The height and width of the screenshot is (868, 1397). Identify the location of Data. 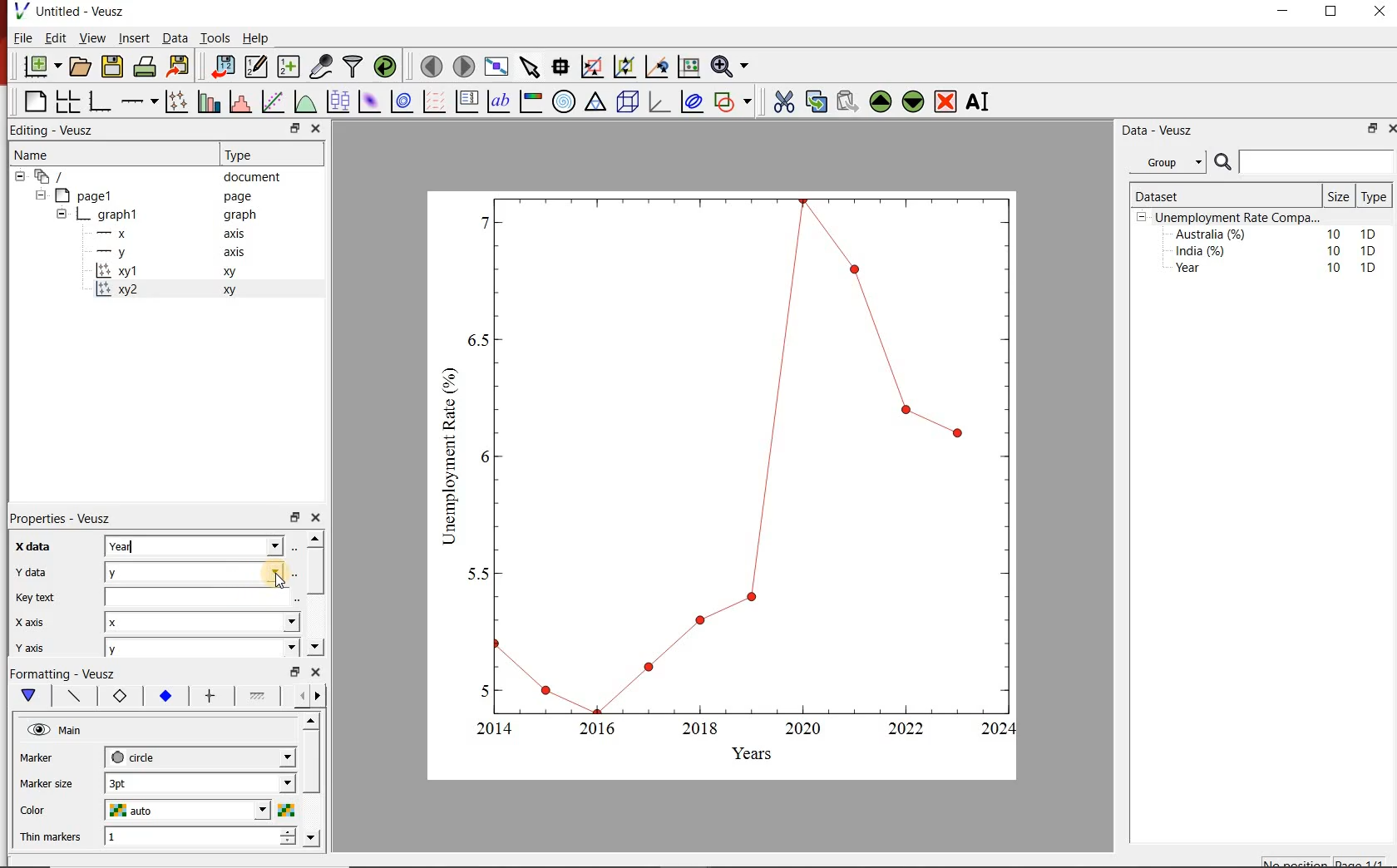
(175, 38).